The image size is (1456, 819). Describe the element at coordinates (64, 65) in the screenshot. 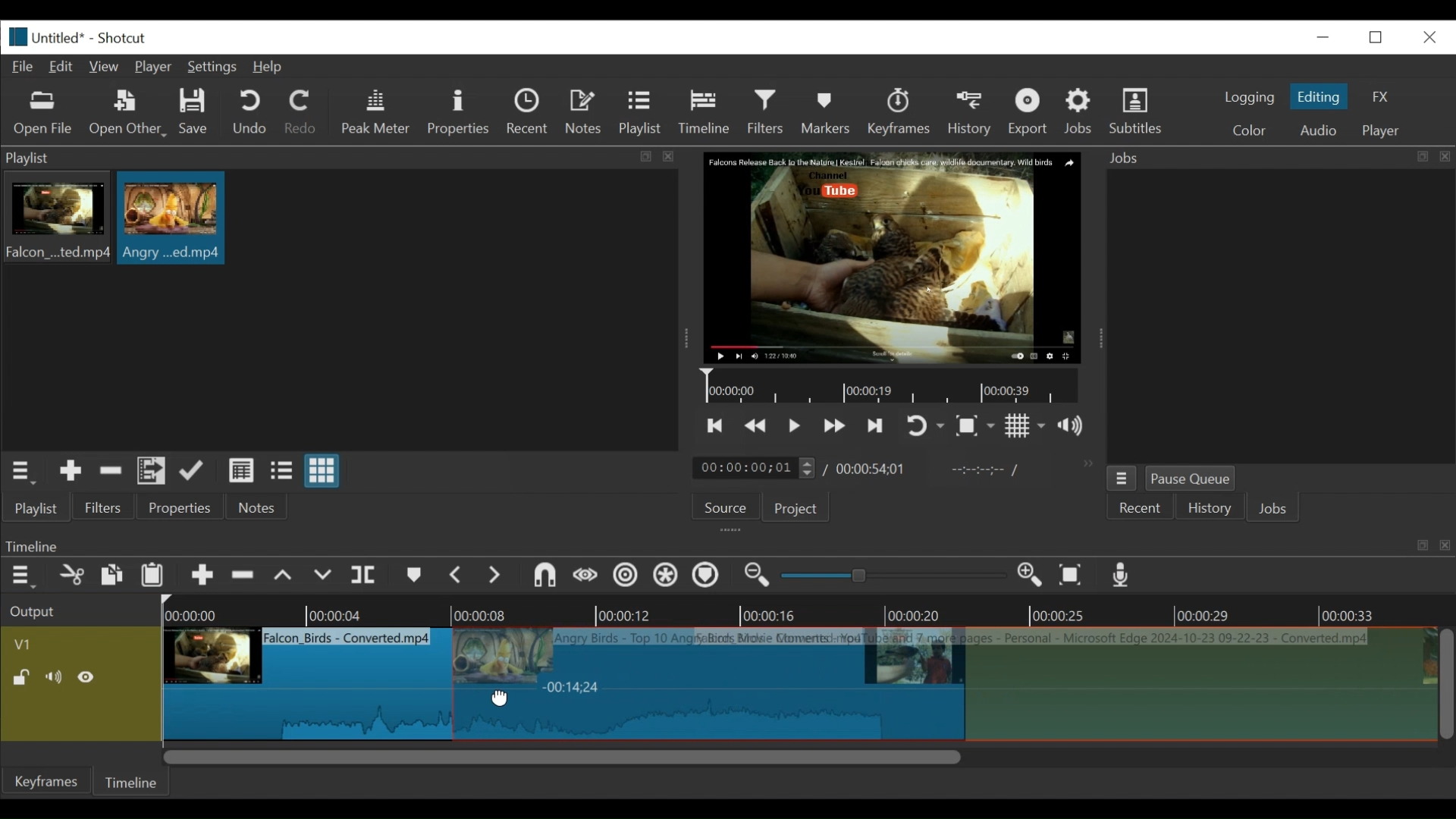

I see `Edit` at that location.